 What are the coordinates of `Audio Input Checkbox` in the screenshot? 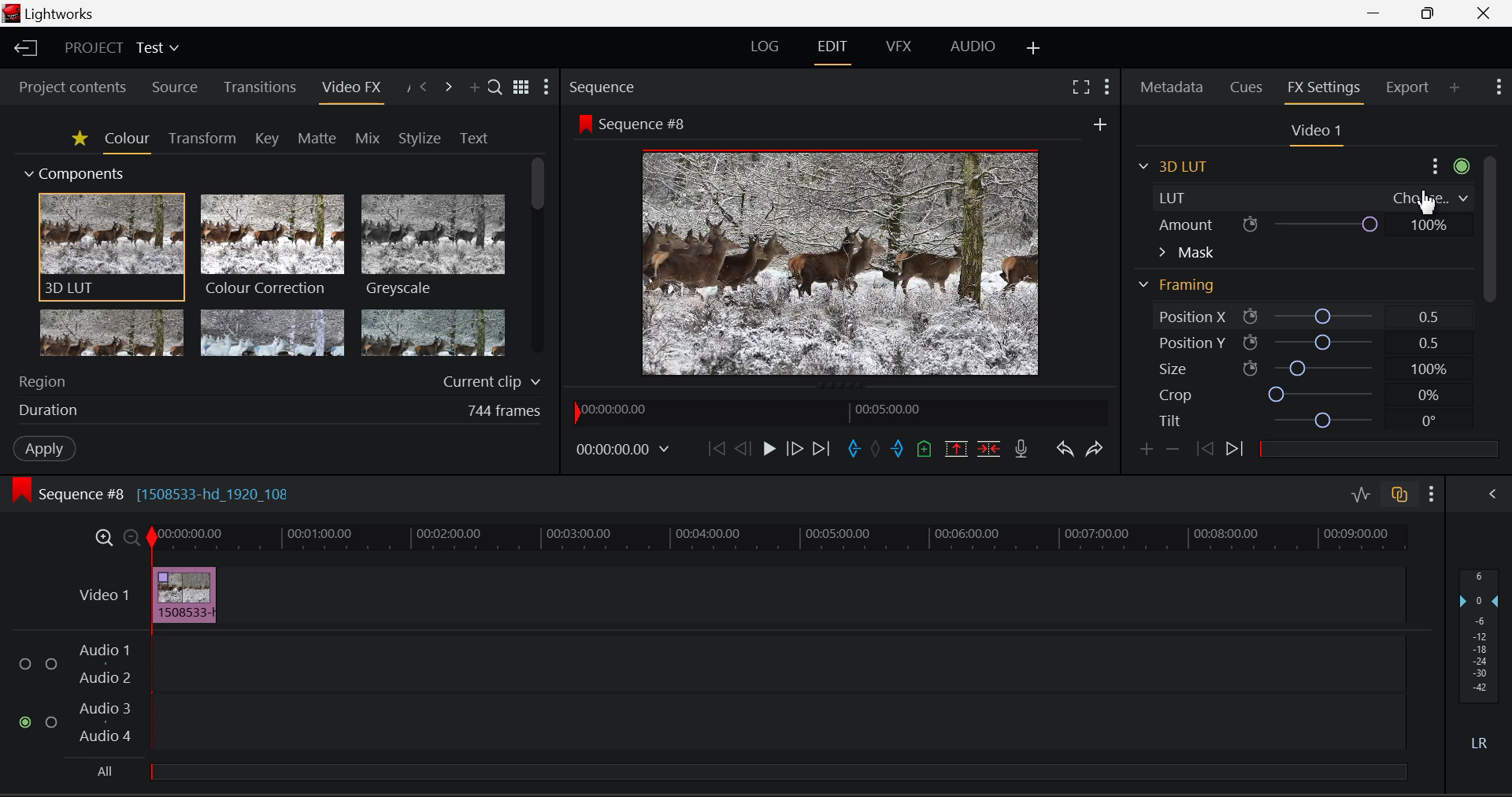 It's located at (53, 664).